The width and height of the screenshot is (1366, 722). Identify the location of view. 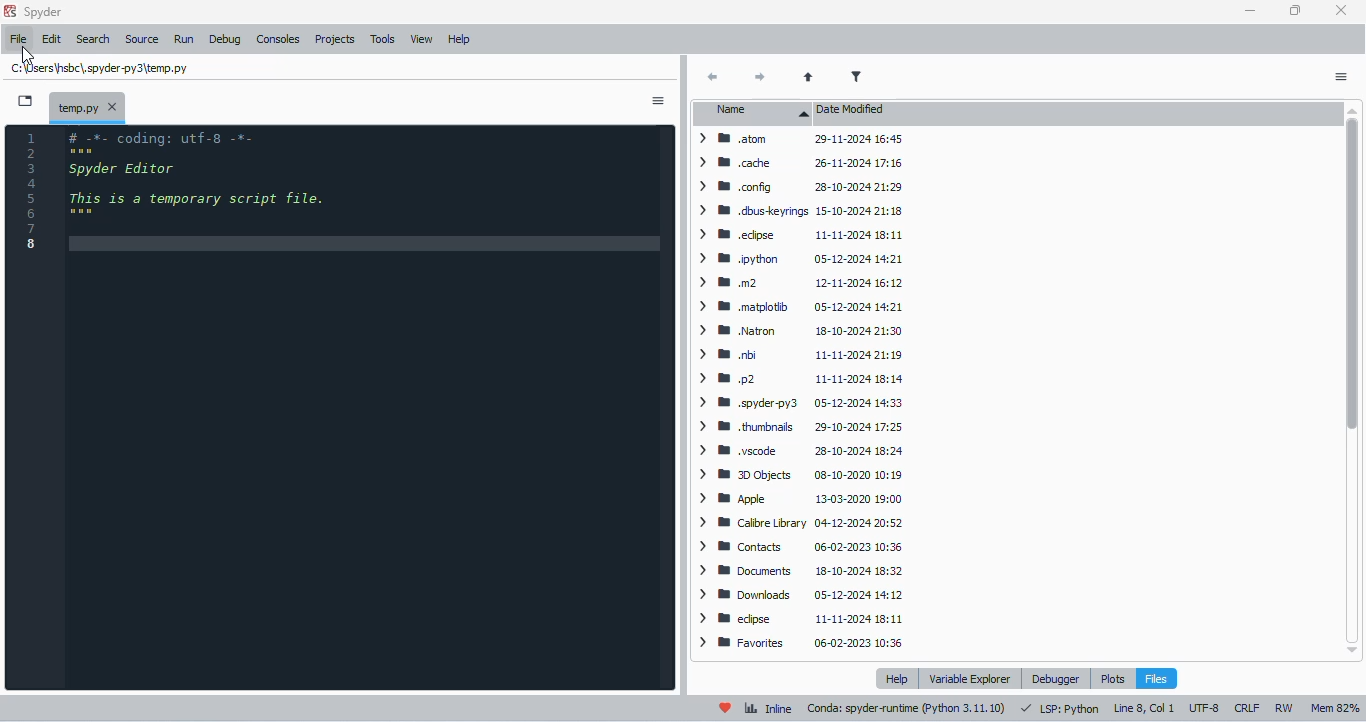
(422, 39).